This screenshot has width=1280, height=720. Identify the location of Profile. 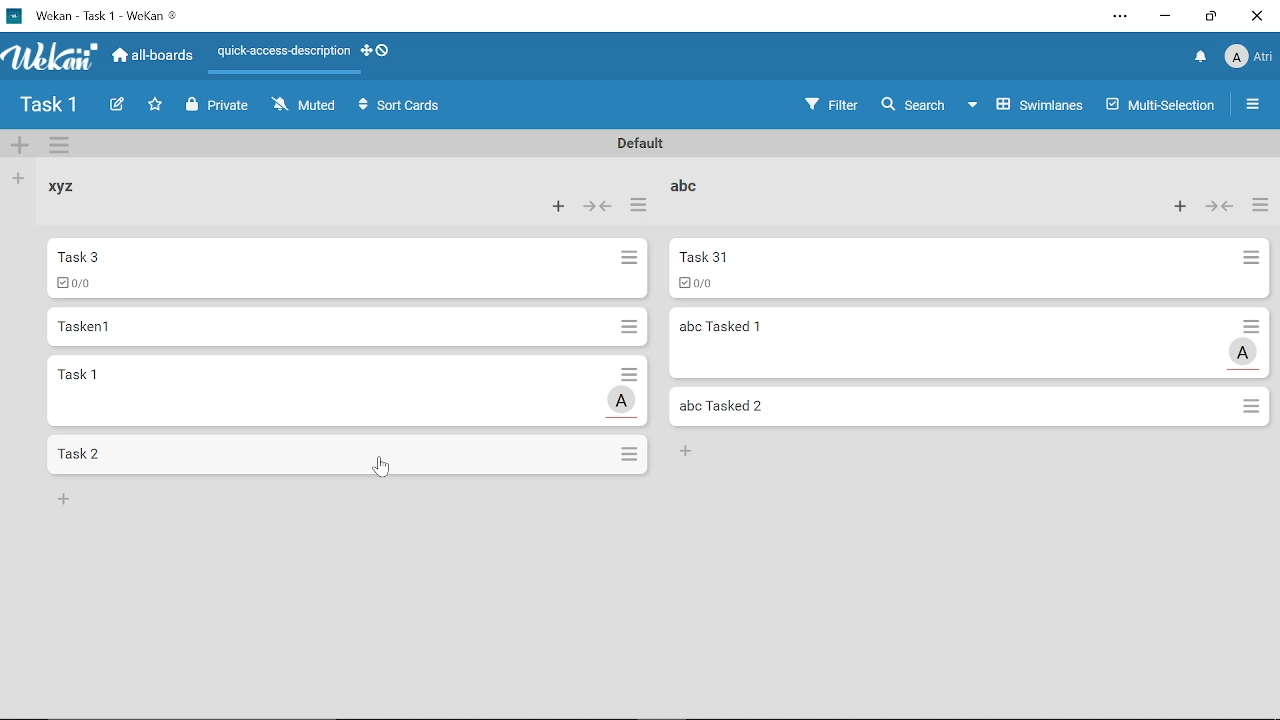
(1248, 59).